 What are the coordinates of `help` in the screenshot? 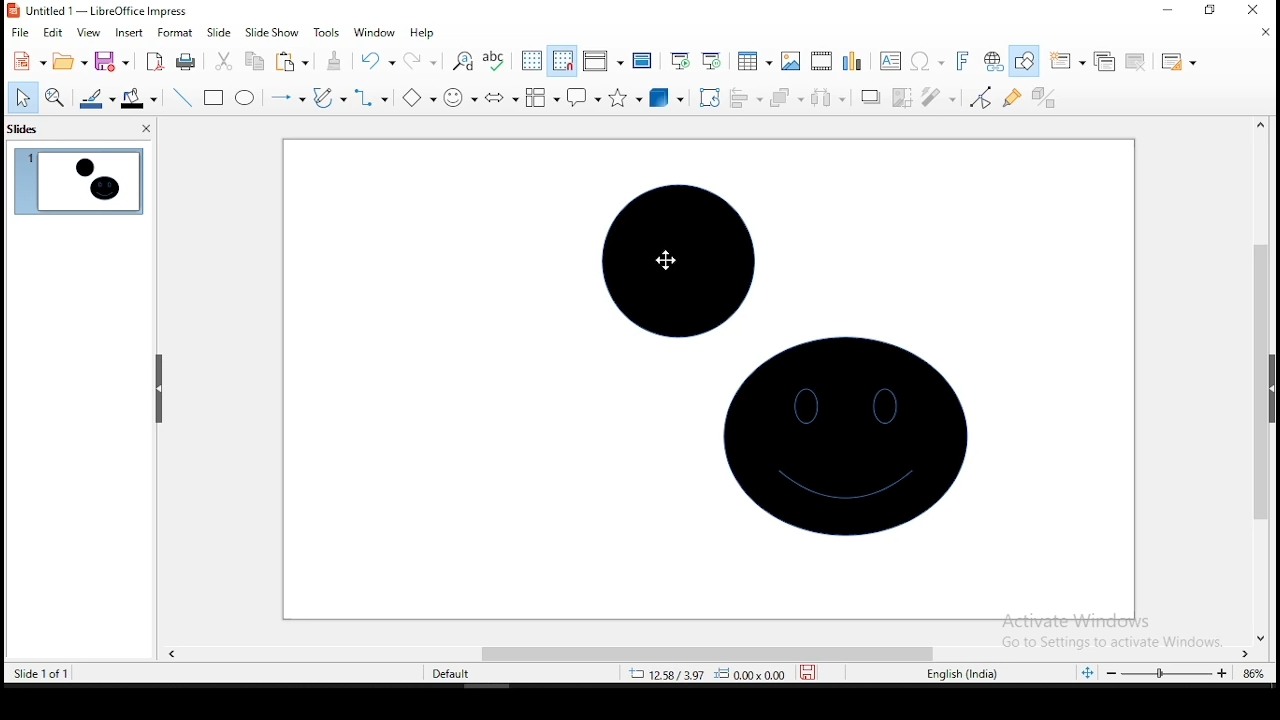 It's located at (423, 32).